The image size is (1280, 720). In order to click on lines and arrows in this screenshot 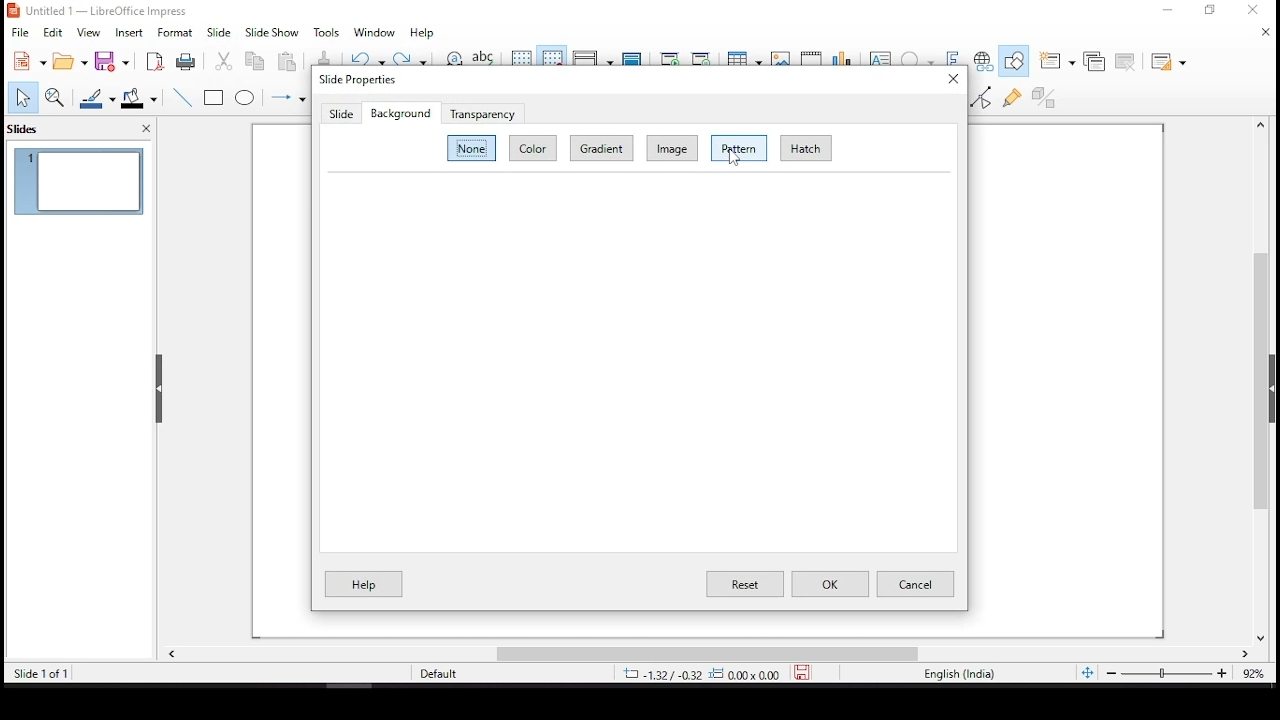, I will do `click(287, 96)`.